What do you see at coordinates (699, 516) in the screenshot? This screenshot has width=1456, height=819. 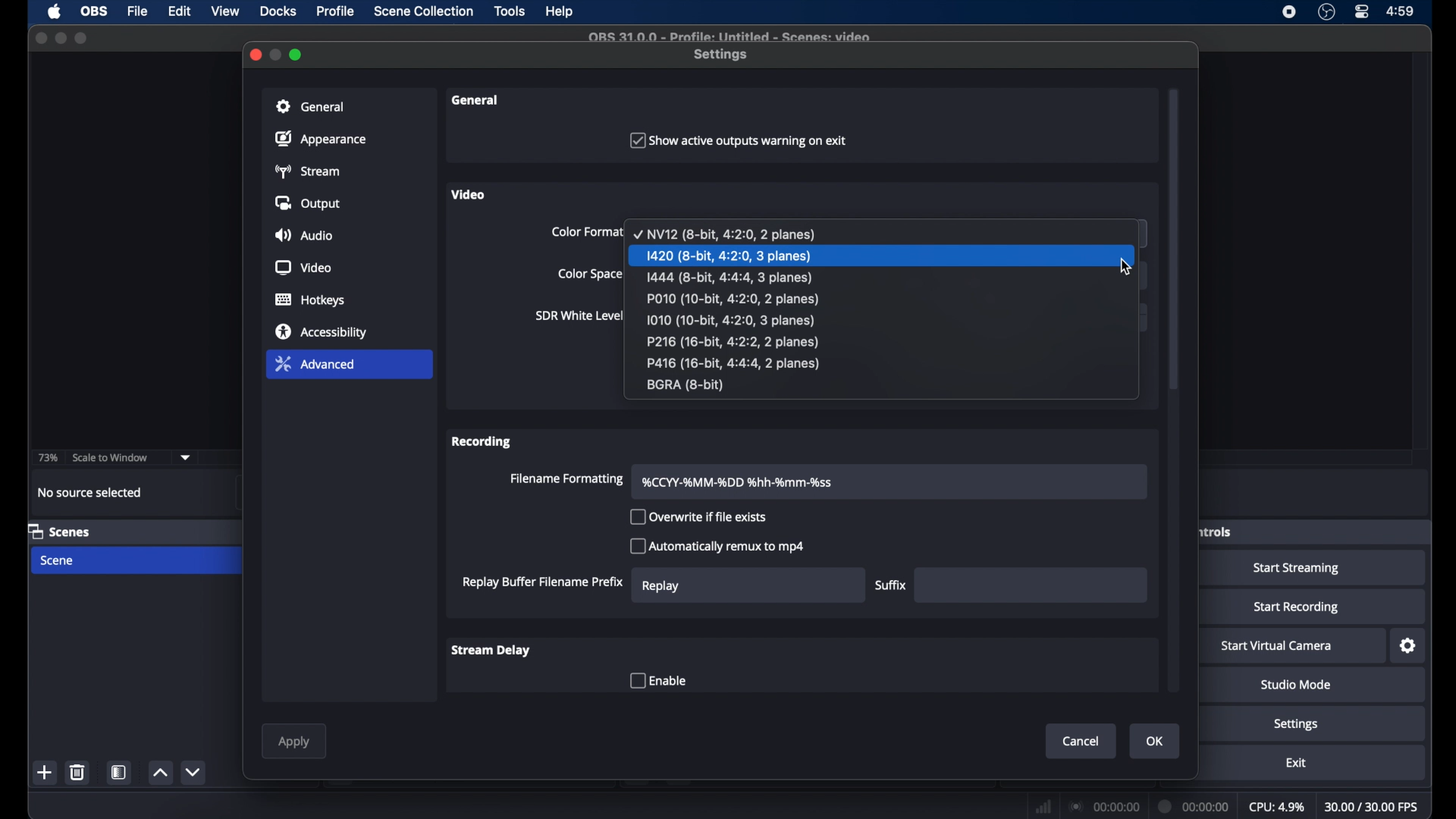 I see `overwrite if file exists` at bounding box center [699, 516].